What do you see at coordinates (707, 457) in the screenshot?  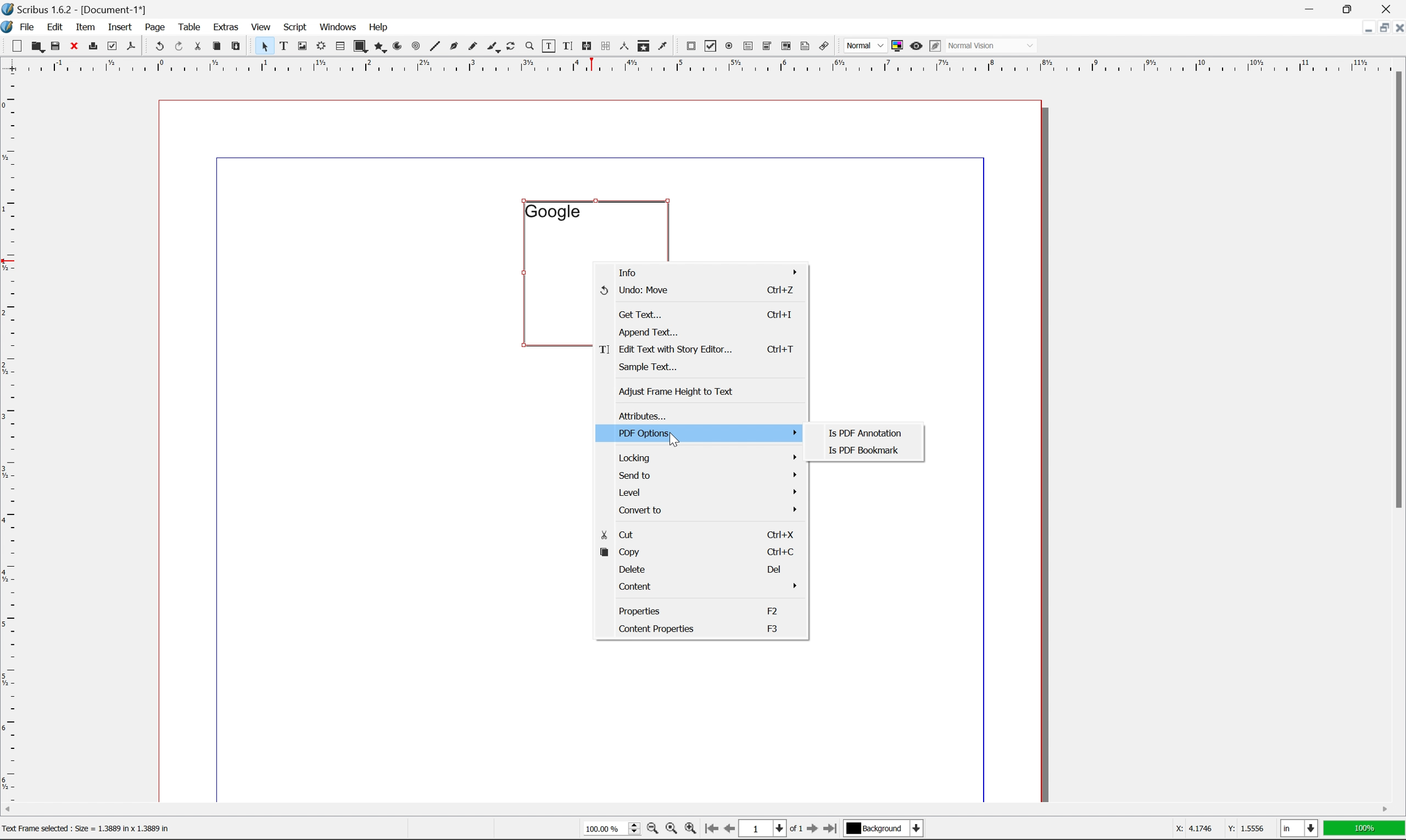 I see `locking` at bounding box center [707, 457].